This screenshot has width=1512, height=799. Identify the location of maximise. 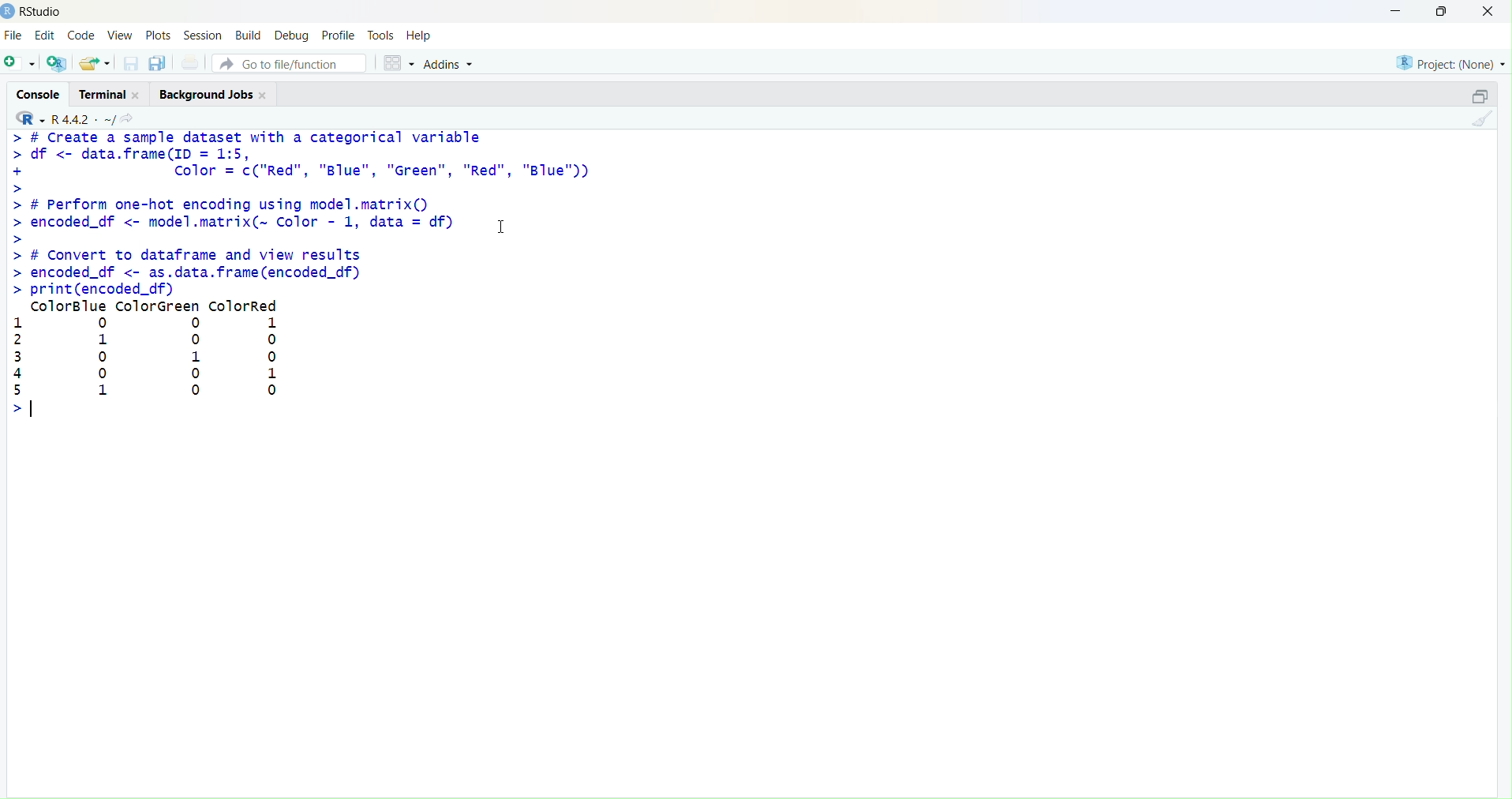
(1443, 11).